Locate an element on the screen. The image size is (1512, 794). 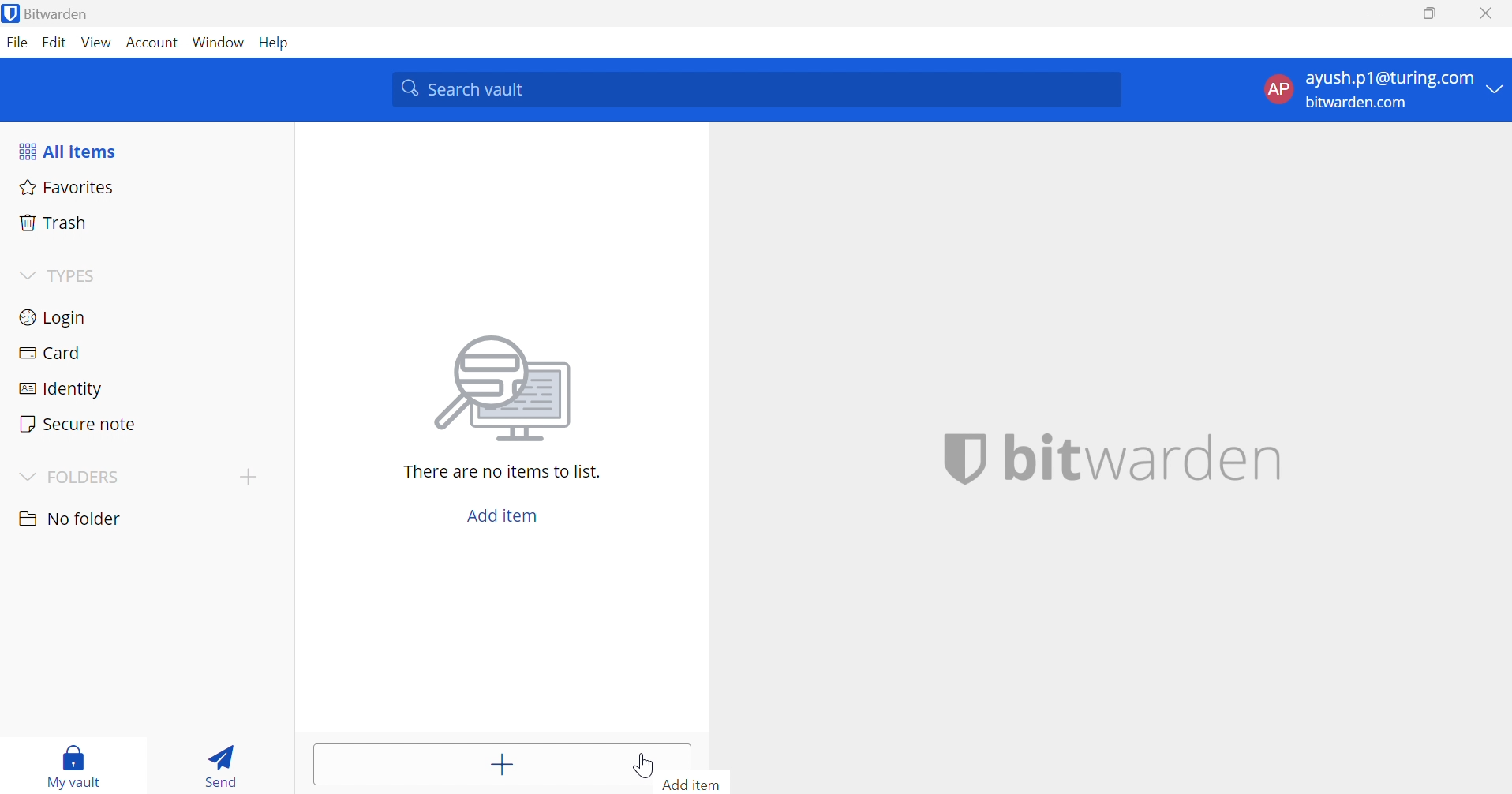
bitwarden logo is located at coordinates (10, 13).